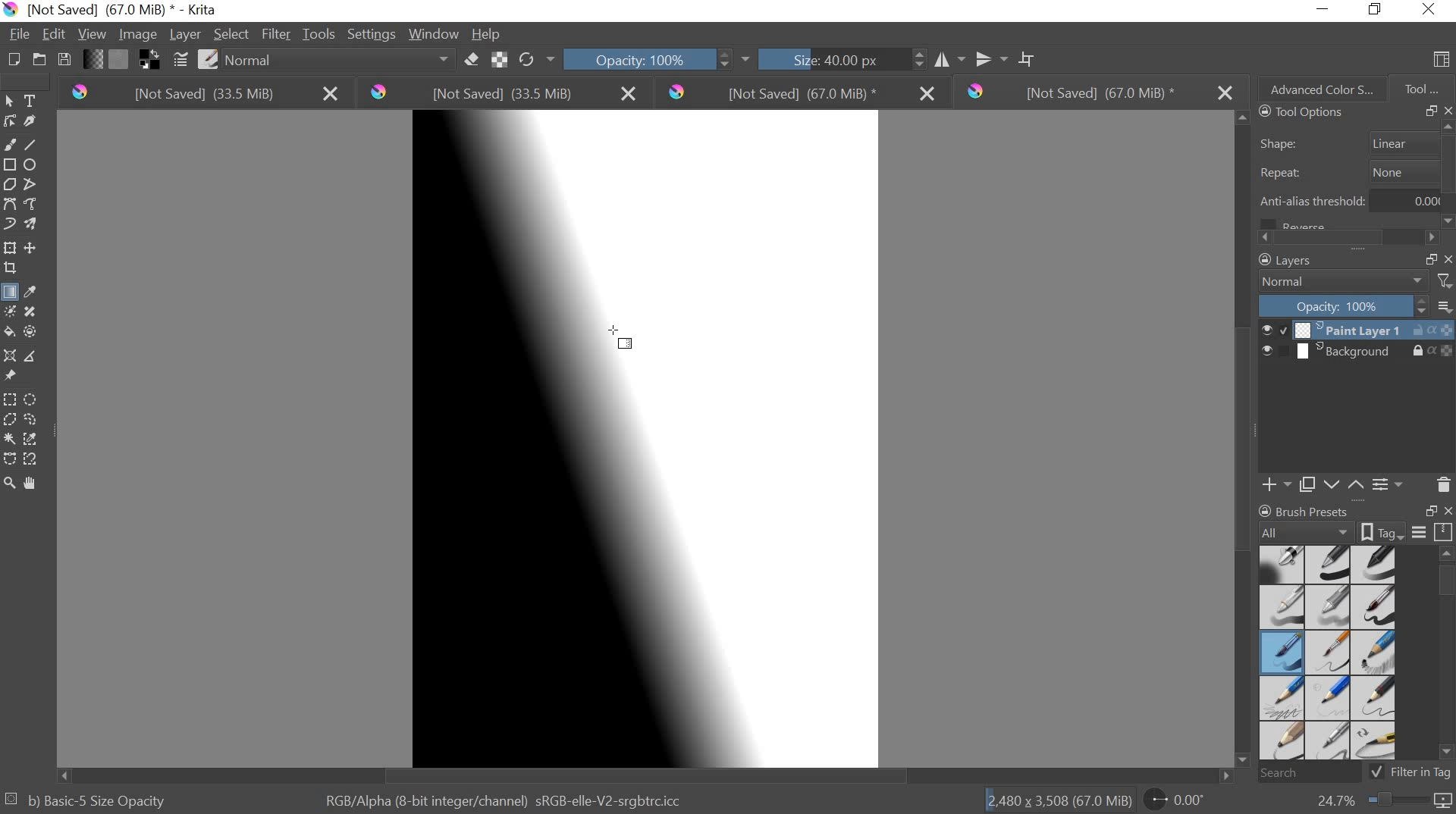 This screenshot has width=1456, height=814. What do you see at coordinates (275, 34) in the screenshot?
I see `FILTER` at bounding box center [275, 34].